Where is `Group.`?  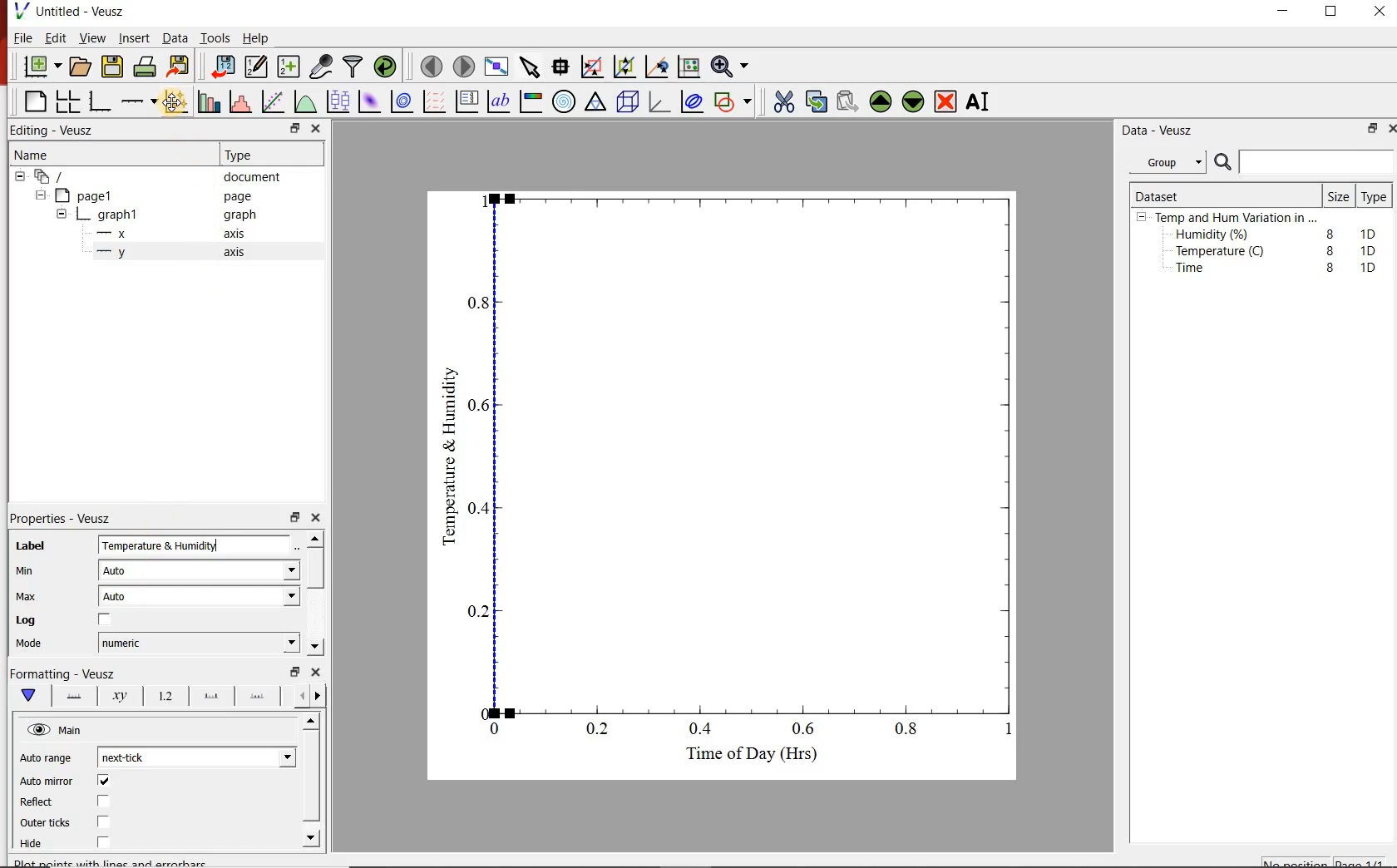
Group. is located at coordinates (1171, 159).